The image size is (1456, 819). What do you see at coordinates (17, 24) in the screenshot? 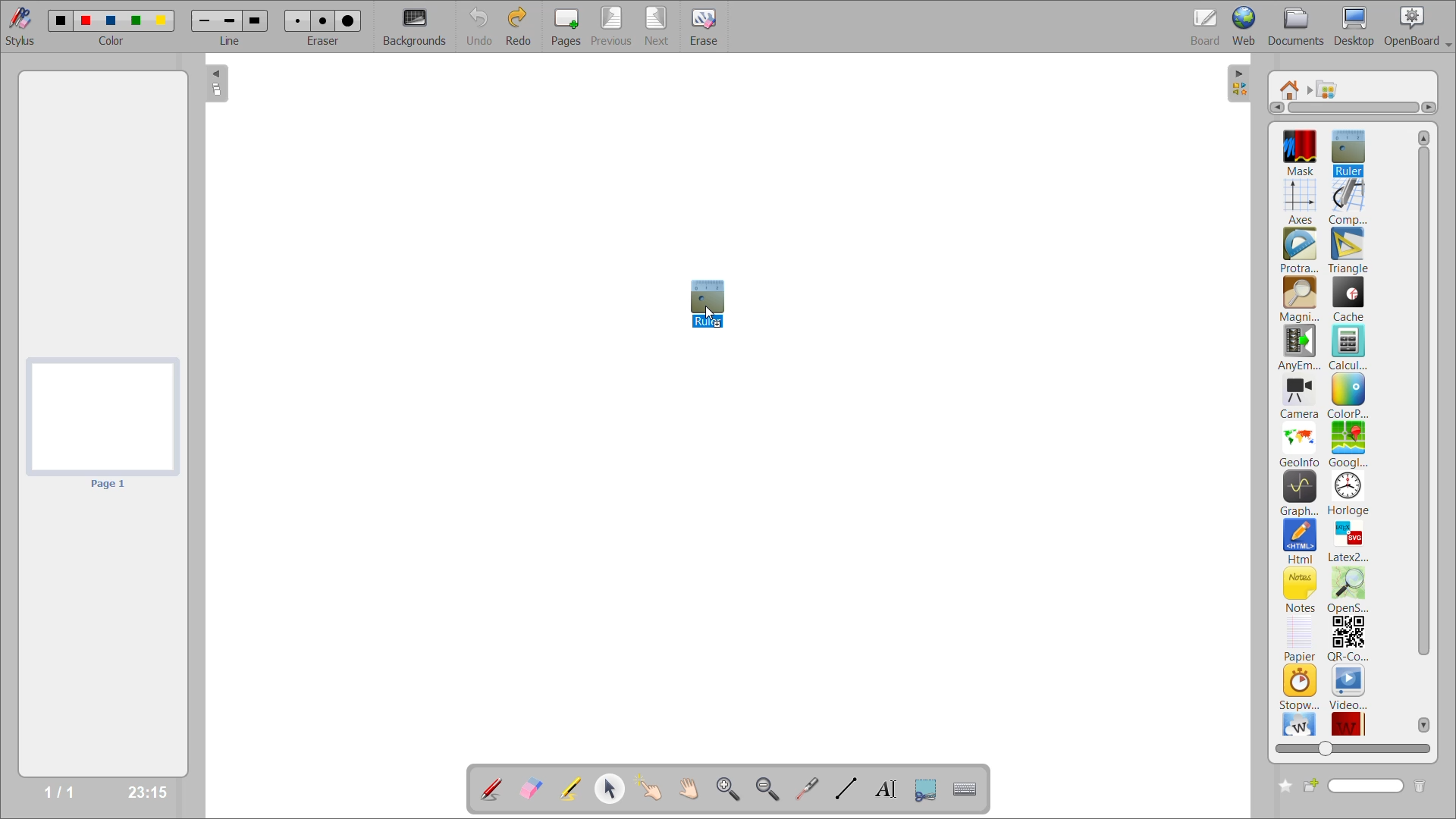
I see `stylus` at bounding box center [17, 24].